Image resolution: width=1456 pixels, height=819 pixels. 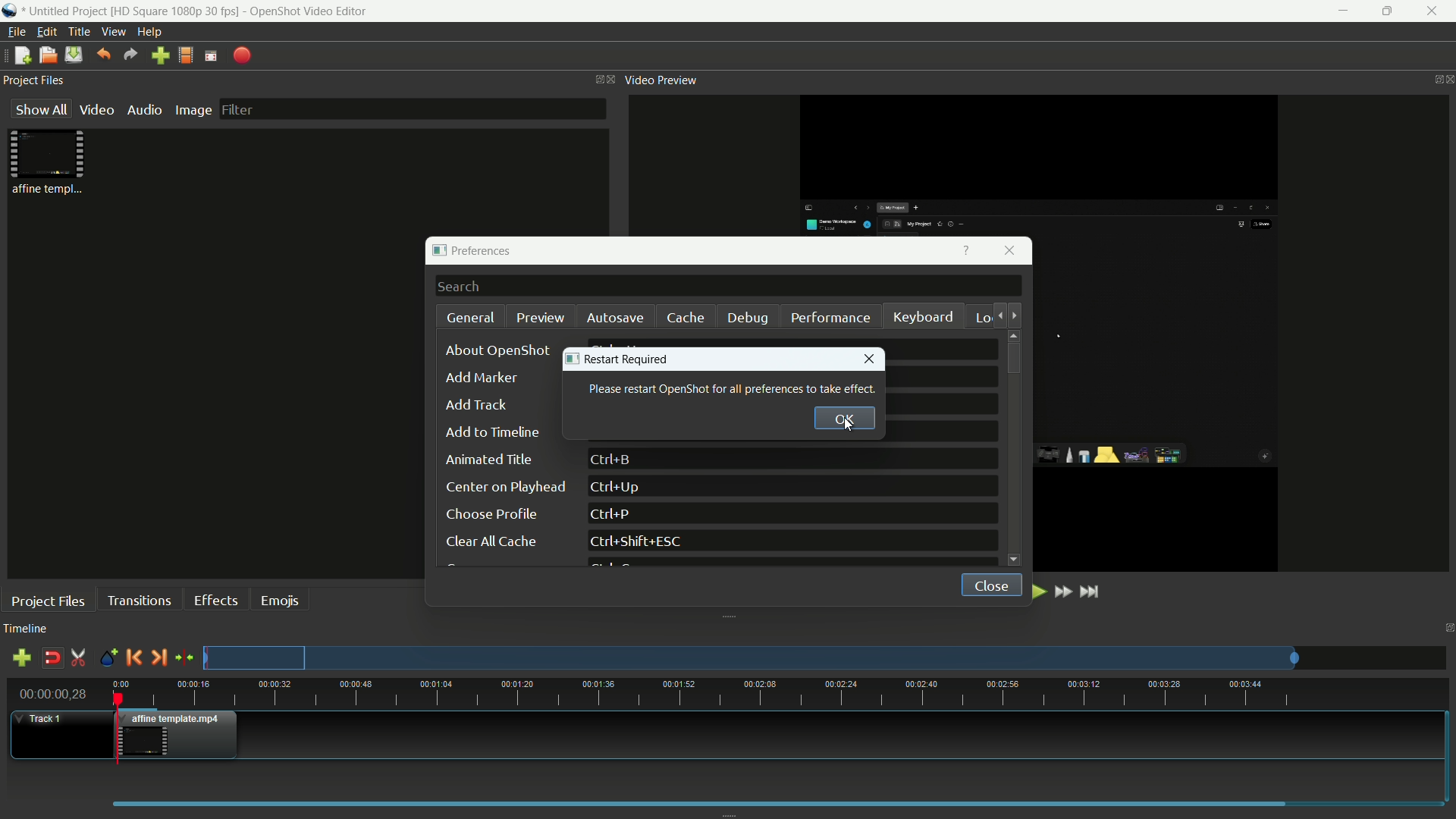 What do you see at coordinates (852, 422) in the screenshot?
I see `cursor` at bounding box center [852, 422].